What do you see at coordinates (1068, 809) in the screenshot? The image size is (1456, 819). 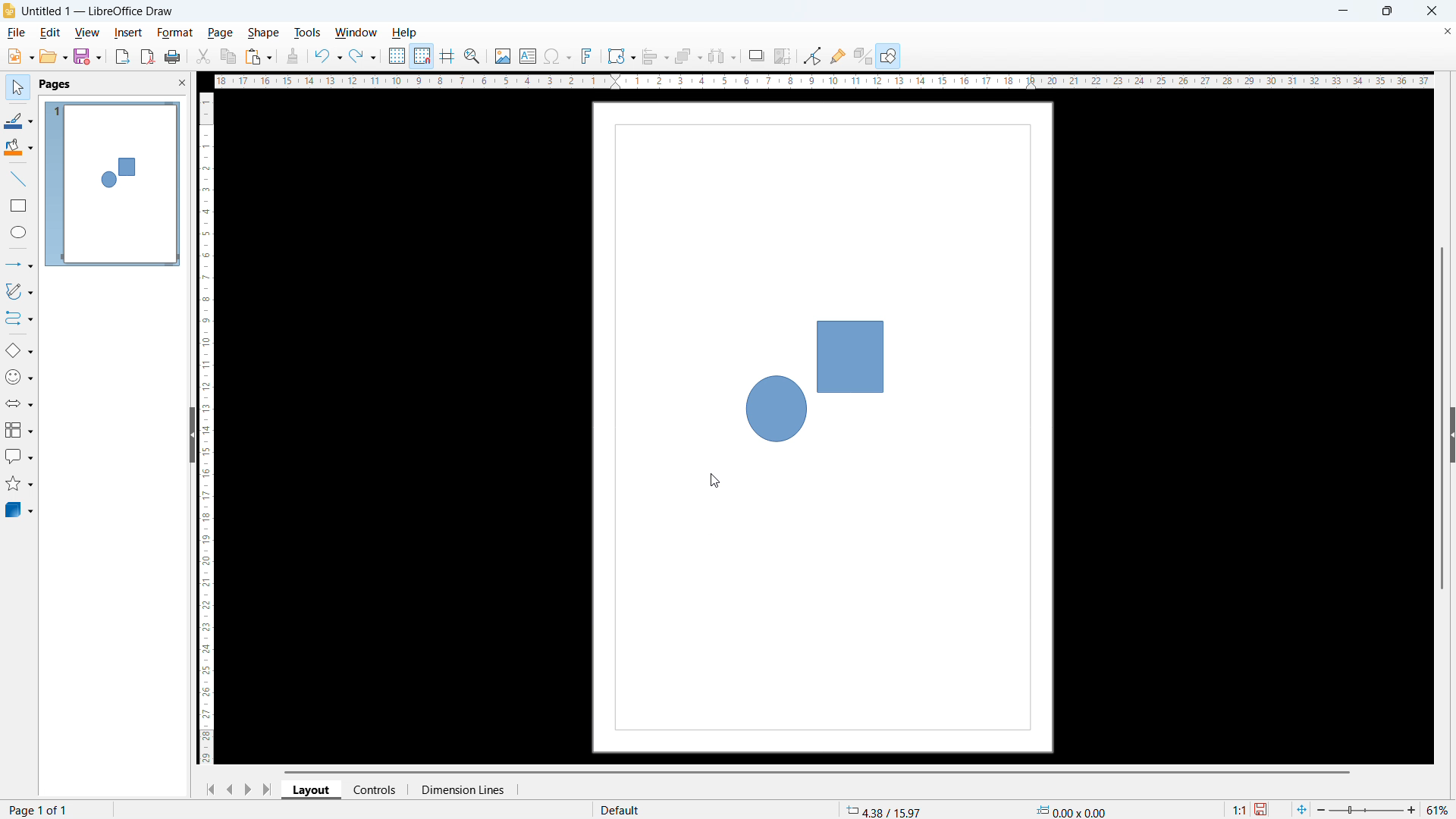 I see `object dimension` at bounding box center [1068, 809].